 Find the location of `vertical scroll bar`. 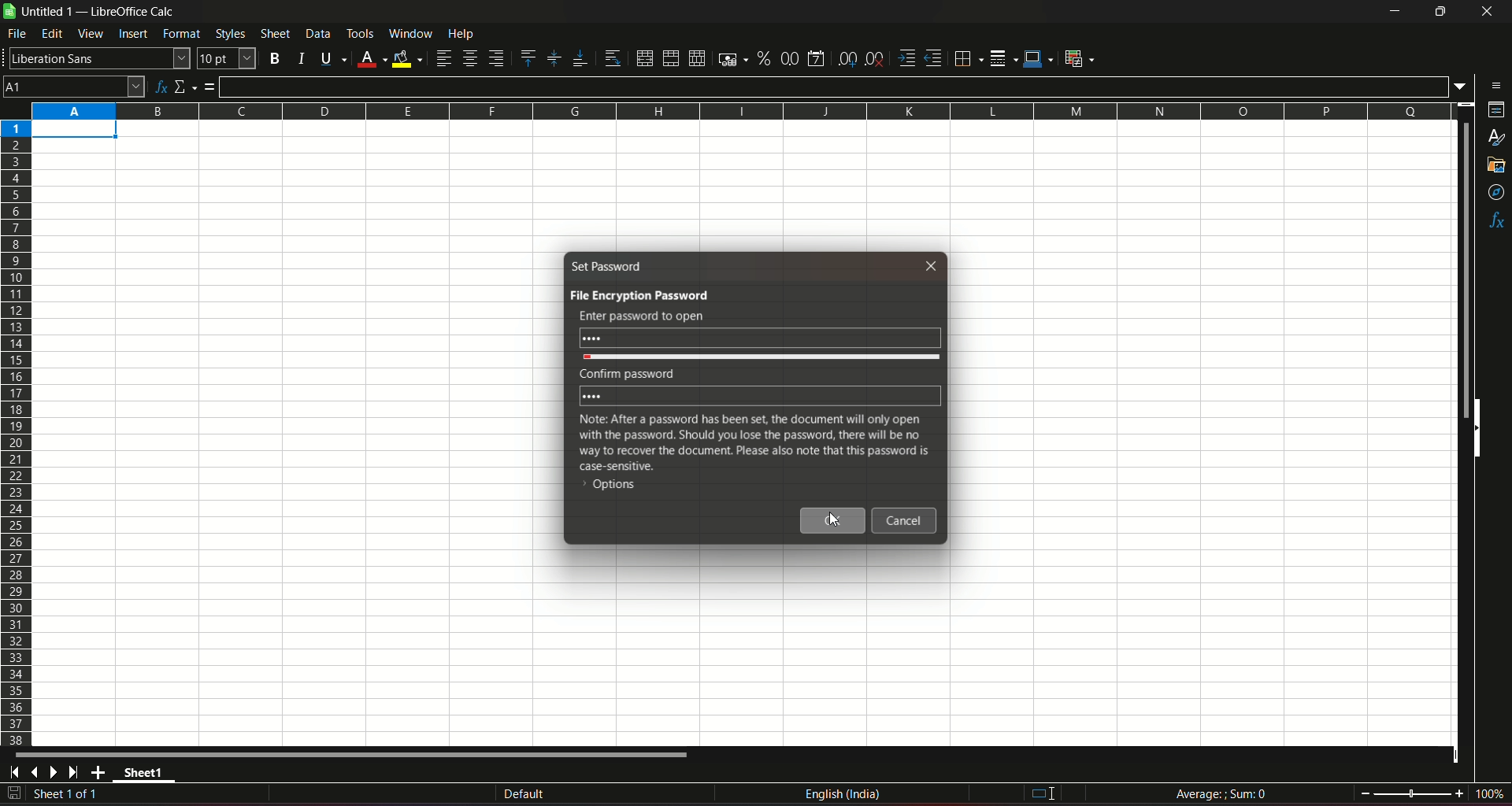

vertical scroll bar is located at coordinates (1466, 272).